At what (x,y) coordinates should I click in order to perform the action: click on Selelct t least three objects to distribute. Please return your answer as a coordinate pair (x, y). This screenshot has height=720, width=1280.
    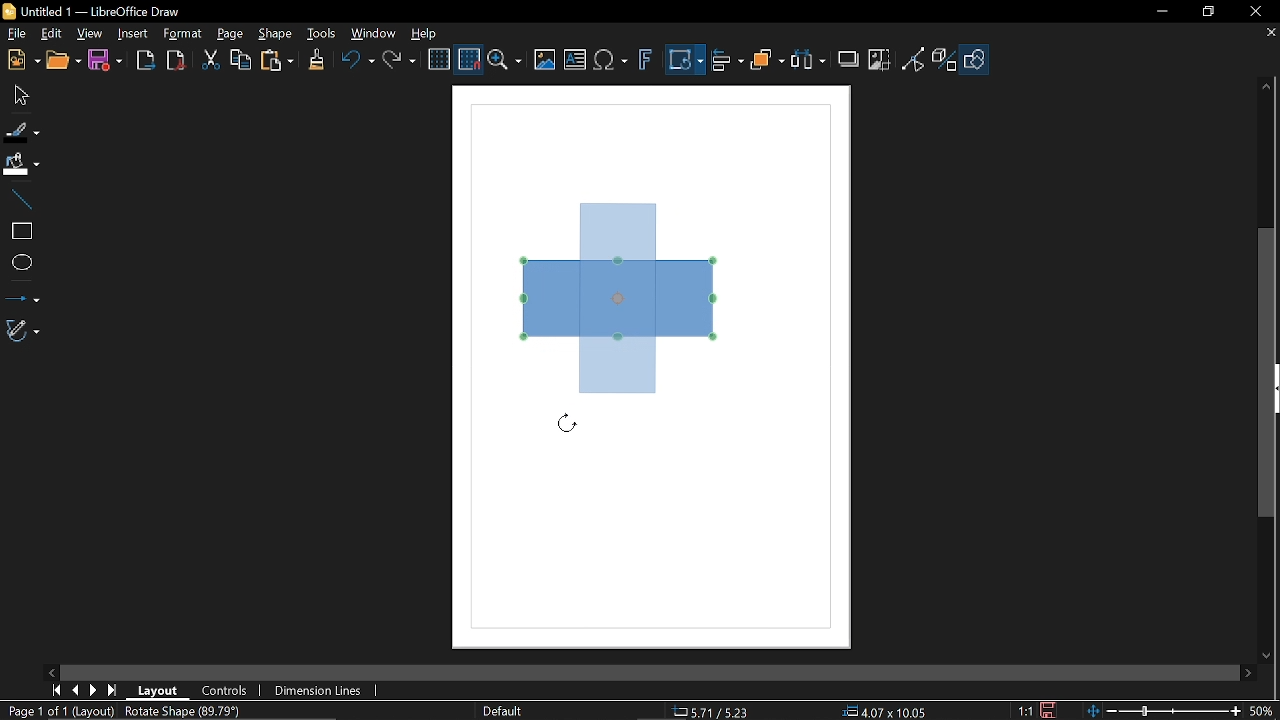
    Looking at the image, I should click on (808, 61).